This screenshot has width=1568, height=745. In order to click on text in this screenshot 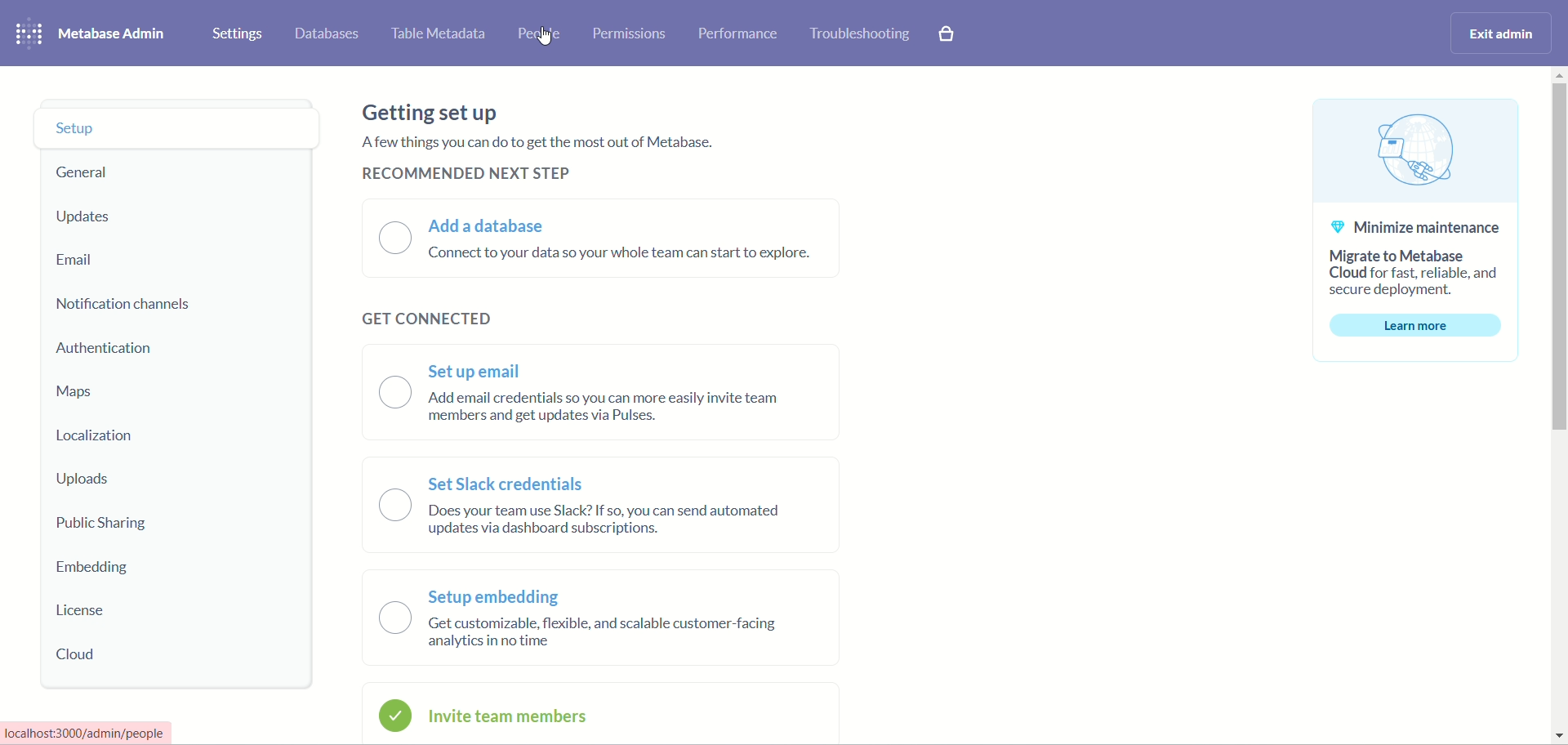, I will do `click(537, 143)`.